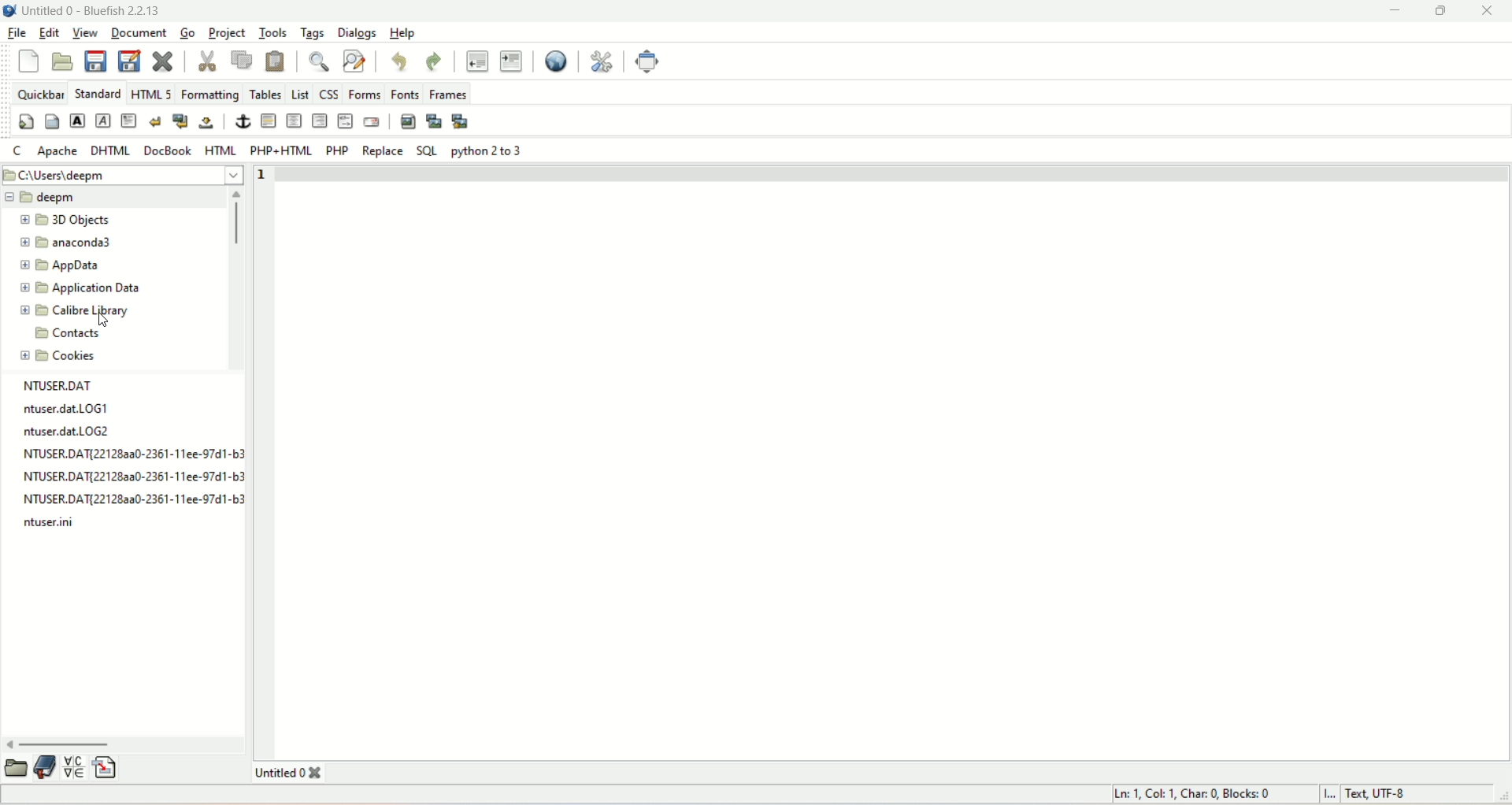 The height and width of the screenshot is (805, 1512). I want to click on Python 2 to 3, so click(488, 152).